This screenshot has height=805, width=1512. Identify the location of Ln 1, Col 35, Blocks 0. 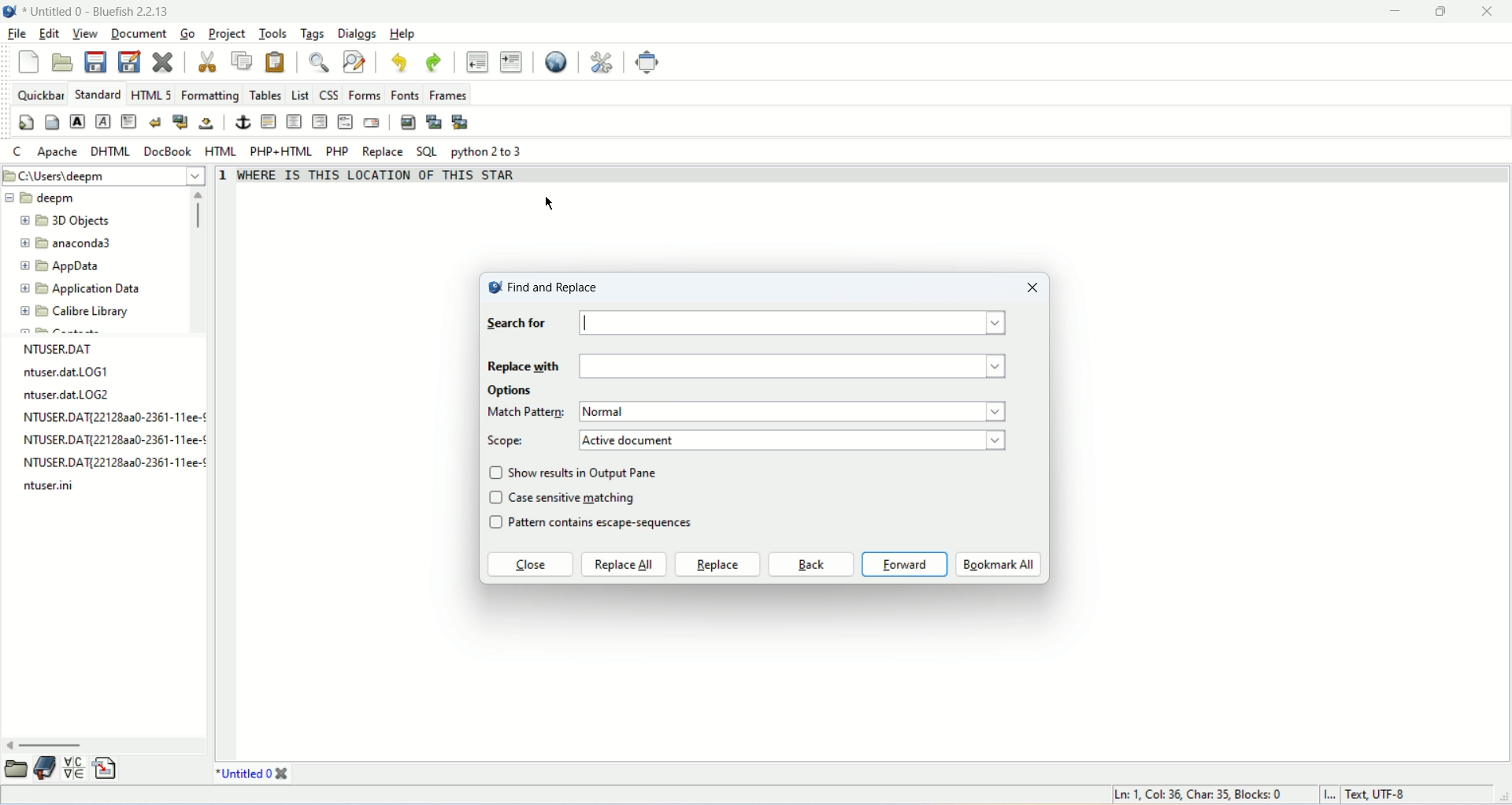
(1206, 795).